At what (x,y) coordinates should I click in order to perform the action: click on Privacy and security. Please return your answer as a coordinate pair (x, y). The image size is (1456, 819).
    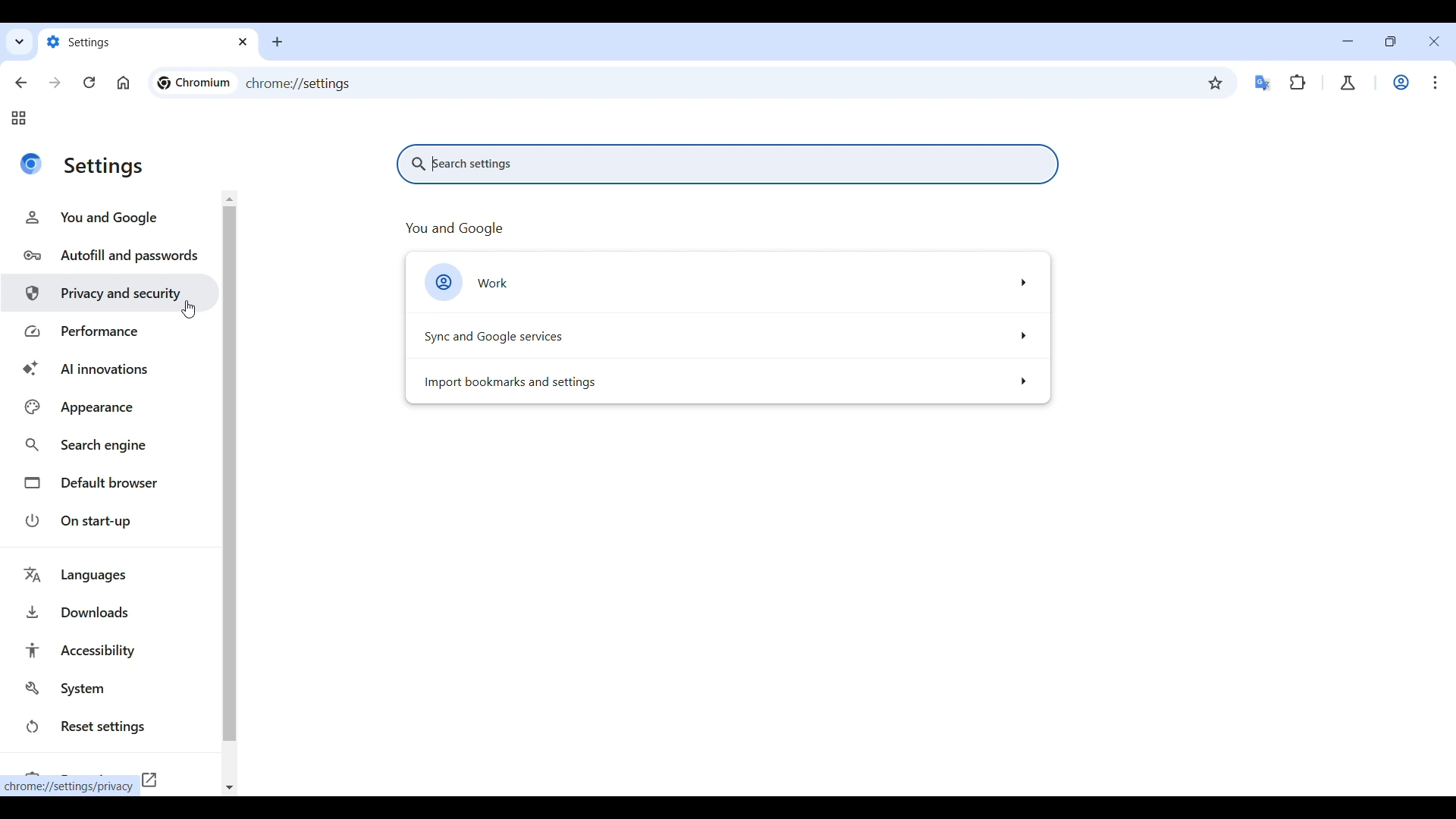
    Looking at the image, I should click on (110, 290).